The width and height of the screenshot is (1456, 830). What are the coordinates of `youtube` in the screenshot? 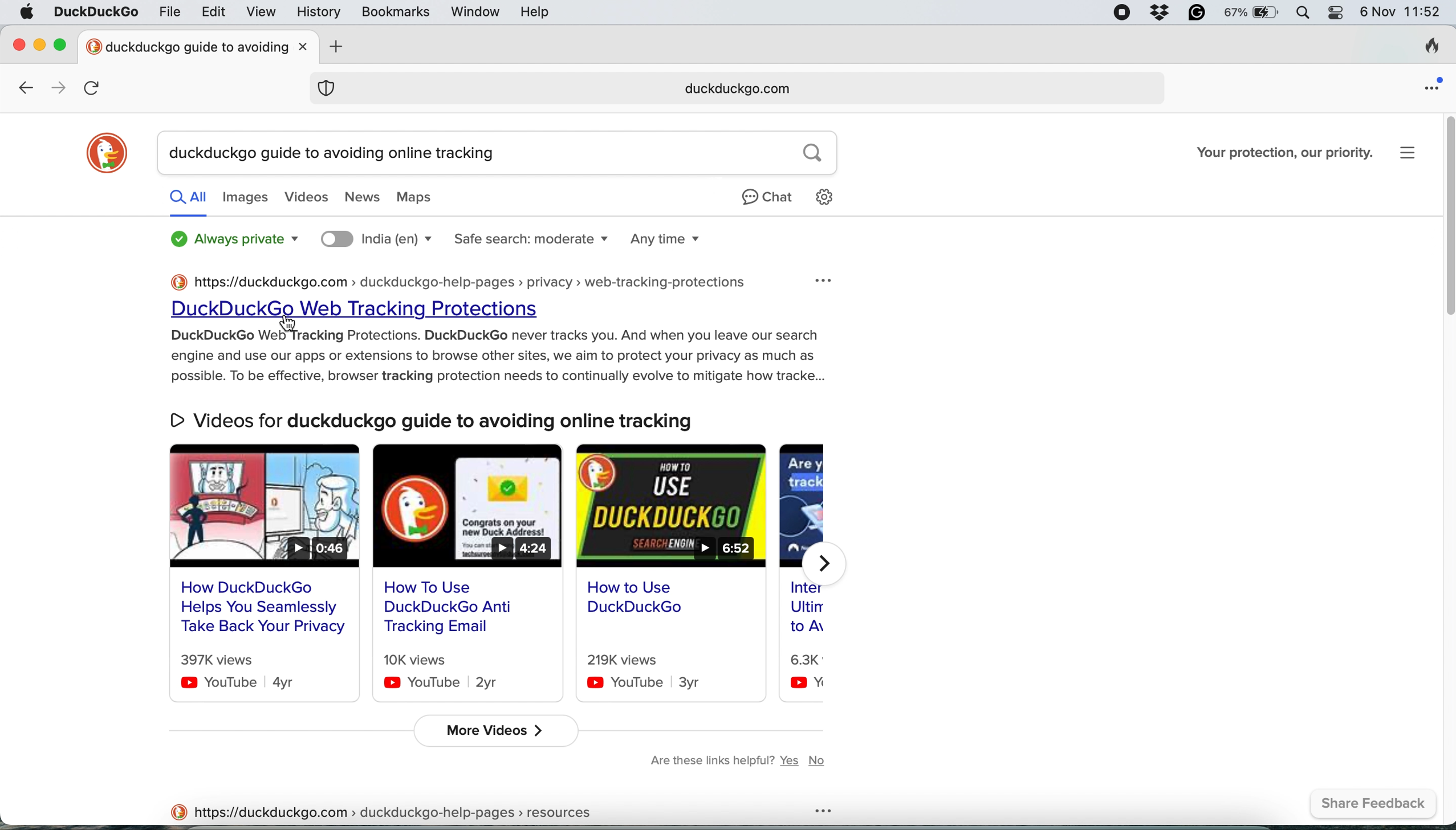 It's located at (660, 681).